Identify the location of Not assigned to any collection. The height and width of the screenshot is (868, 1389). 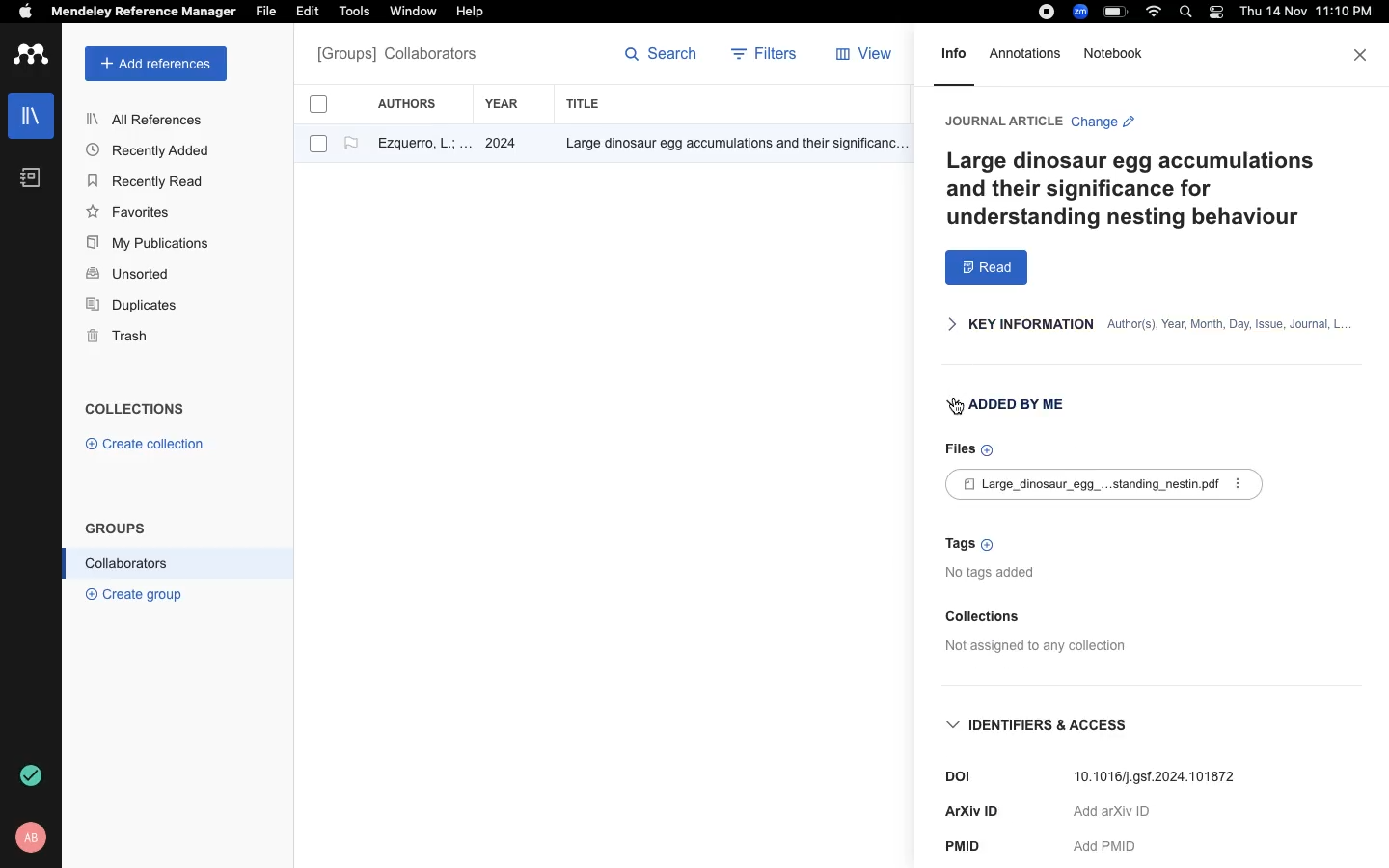
(1043, 650).